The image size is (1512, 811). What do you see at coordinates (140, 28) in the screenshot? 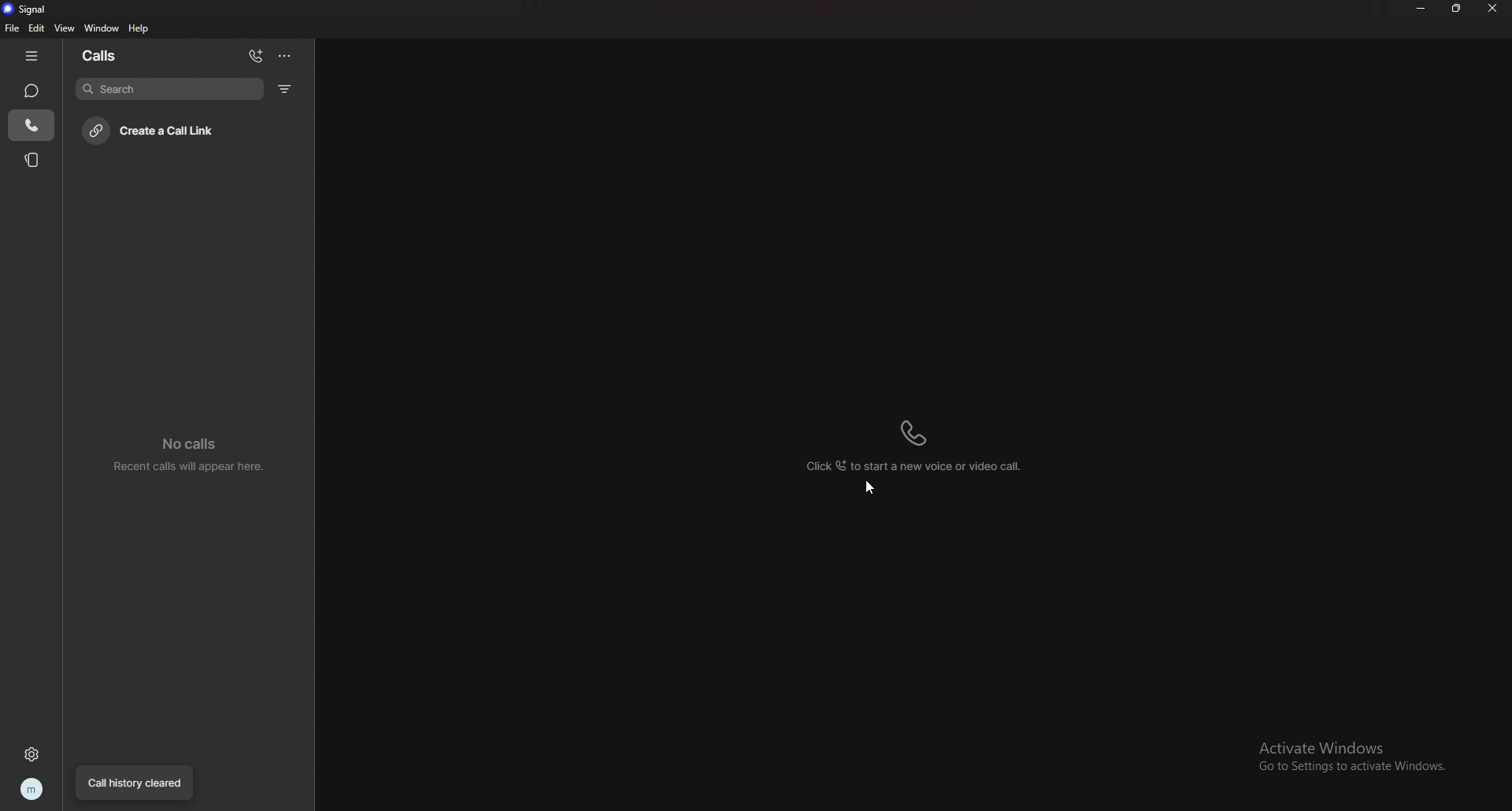
I see `help` at bounding box center [140, 28].